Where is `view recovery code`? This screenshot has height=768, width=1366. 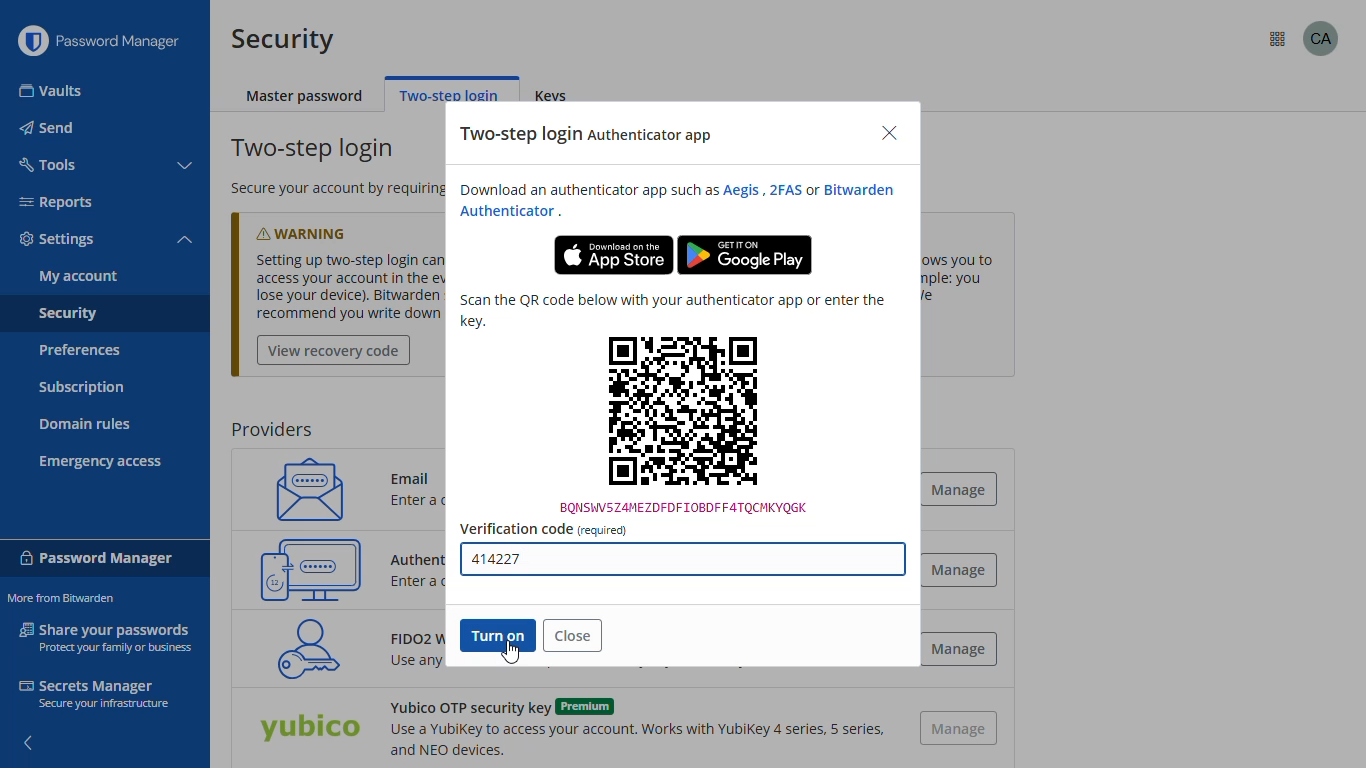
view recovery code is located at coordinates (334, 351).